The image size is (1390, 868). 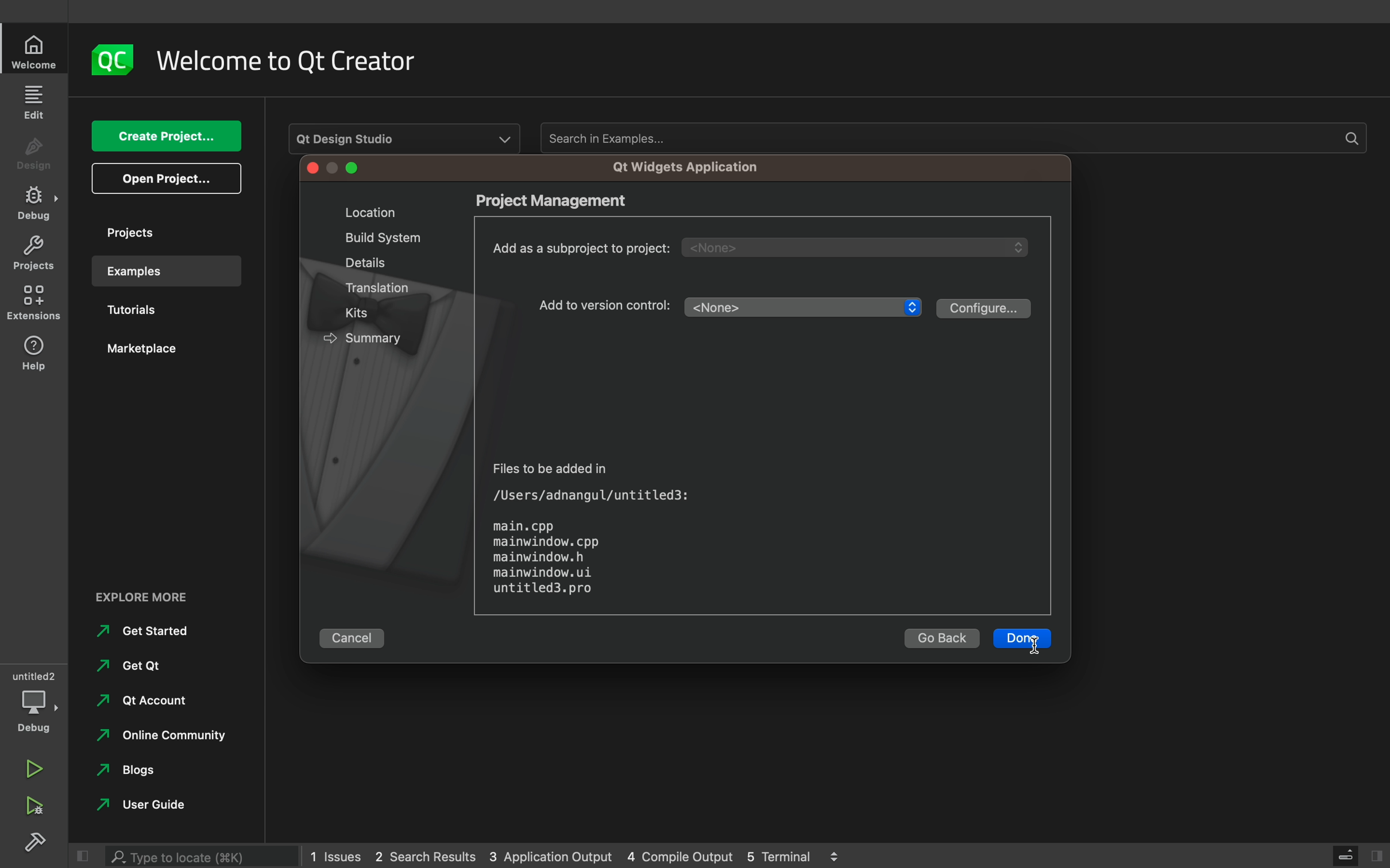 What do you see at coordinates (769, 247) in the screenshot?
I see `sub project` at bounding box center [769, 247].